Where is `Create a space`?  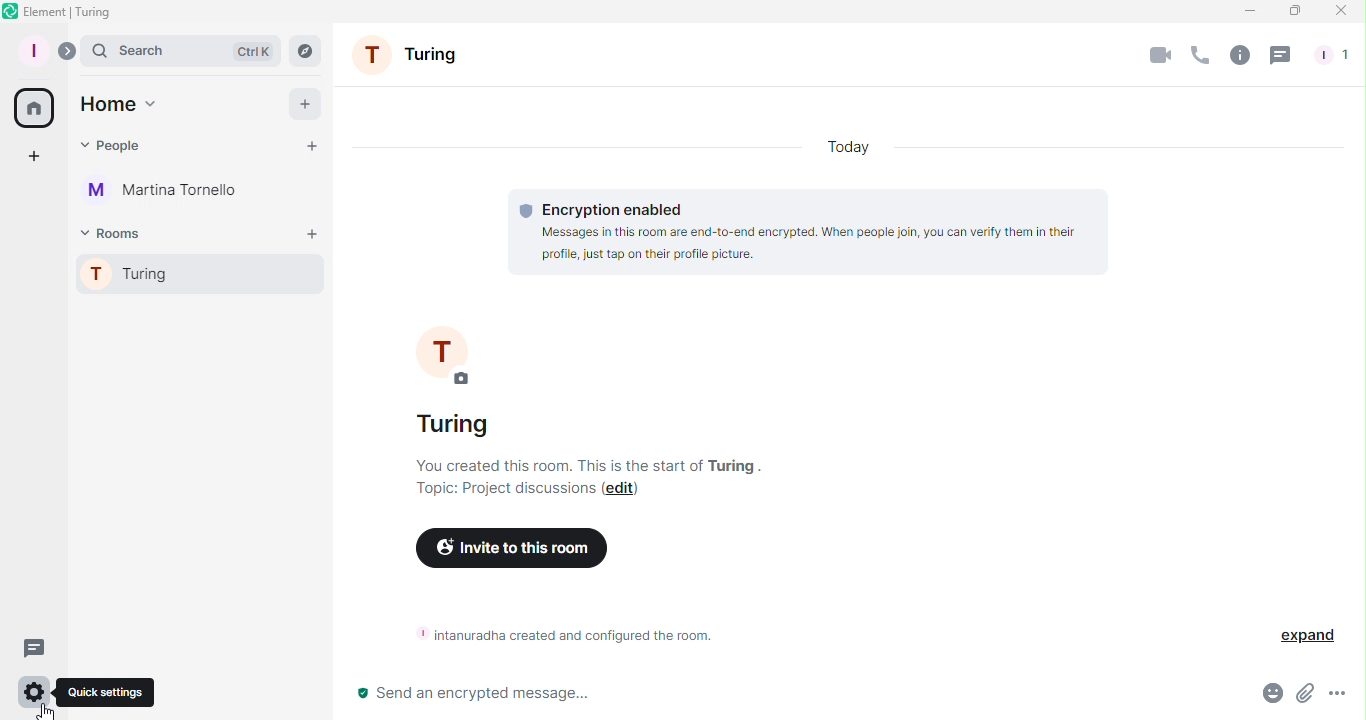
Create a space is located at coordinates (30, 159).